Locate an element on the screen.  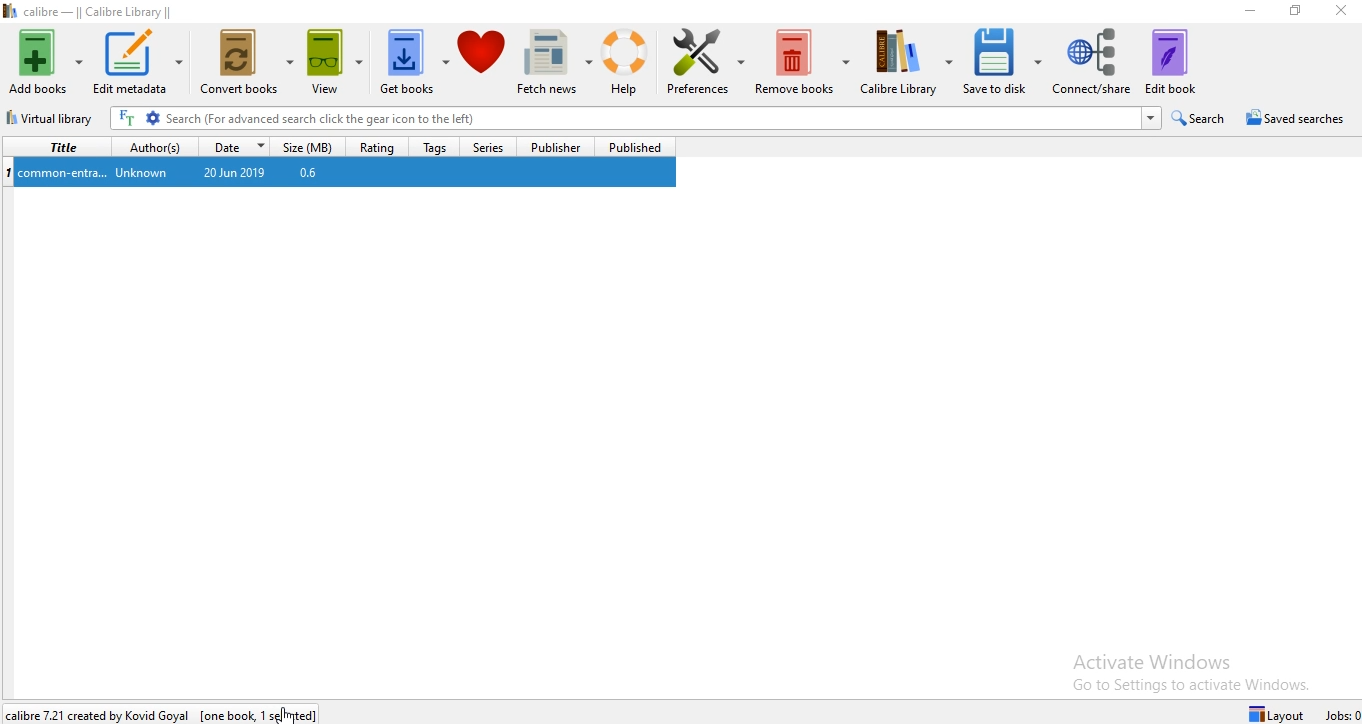
Search for the full text of all books in the library, not just their metadata is located at coordinates (127, 119).